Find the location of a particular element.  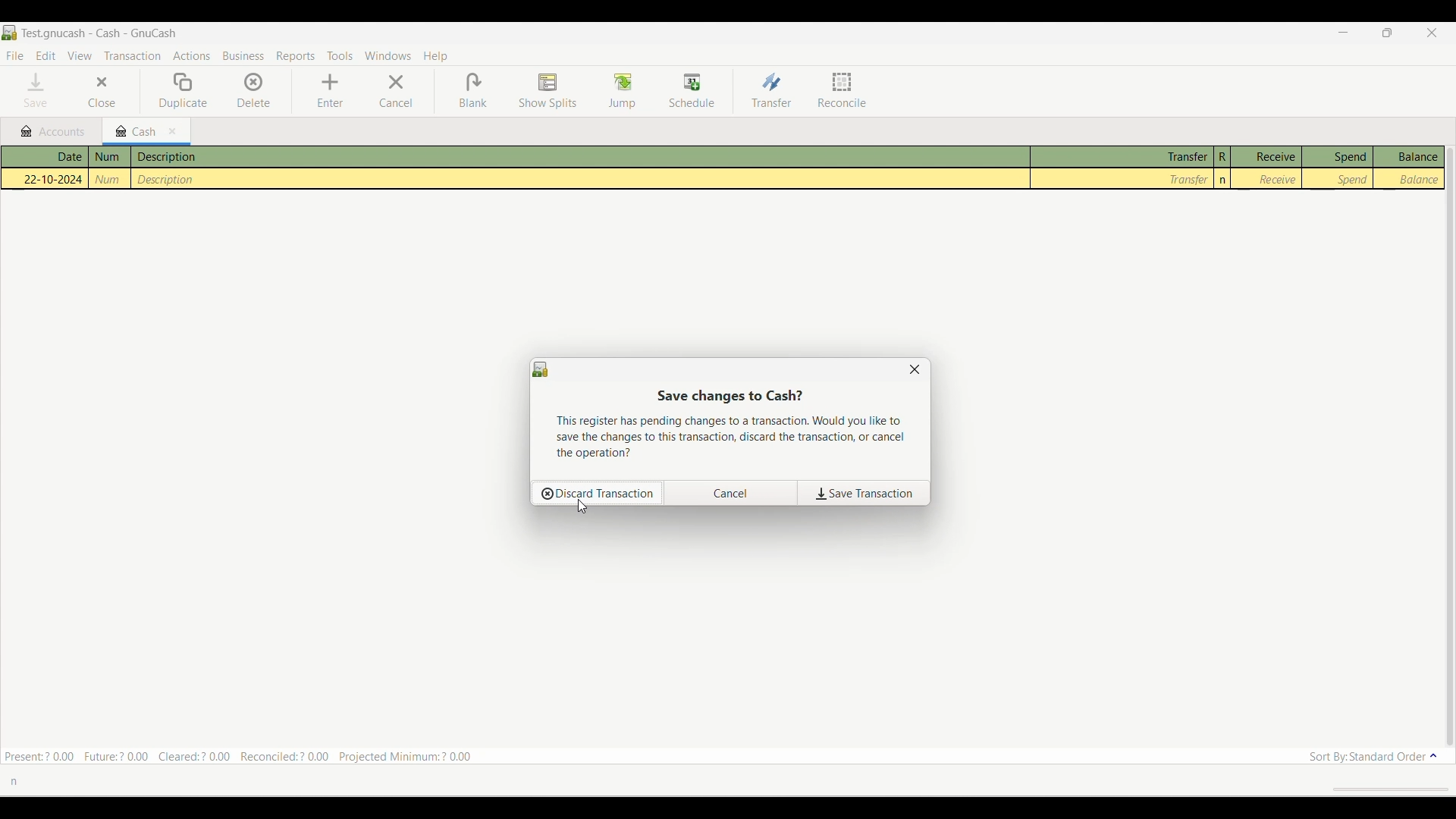

Enter is located at coordinates (330, 90).